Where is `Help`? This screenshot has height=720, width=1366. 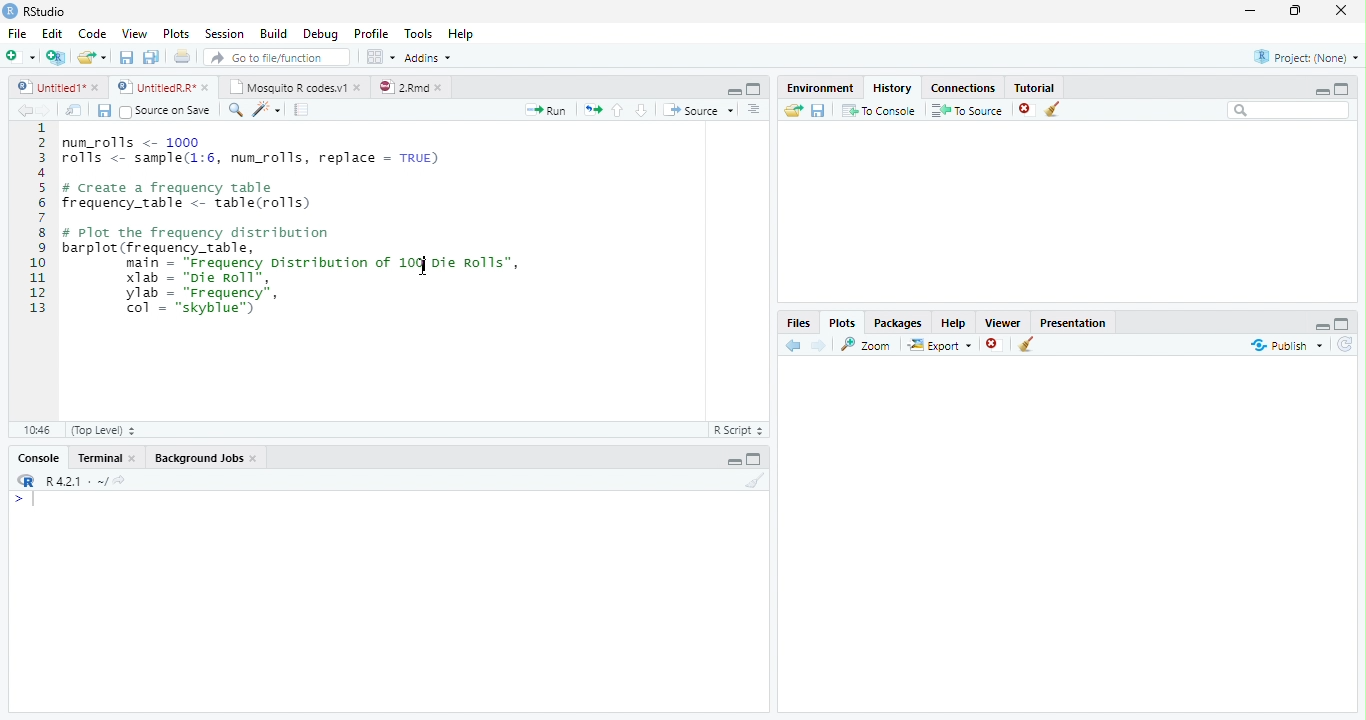
Help is located at coordinates (954, 322).